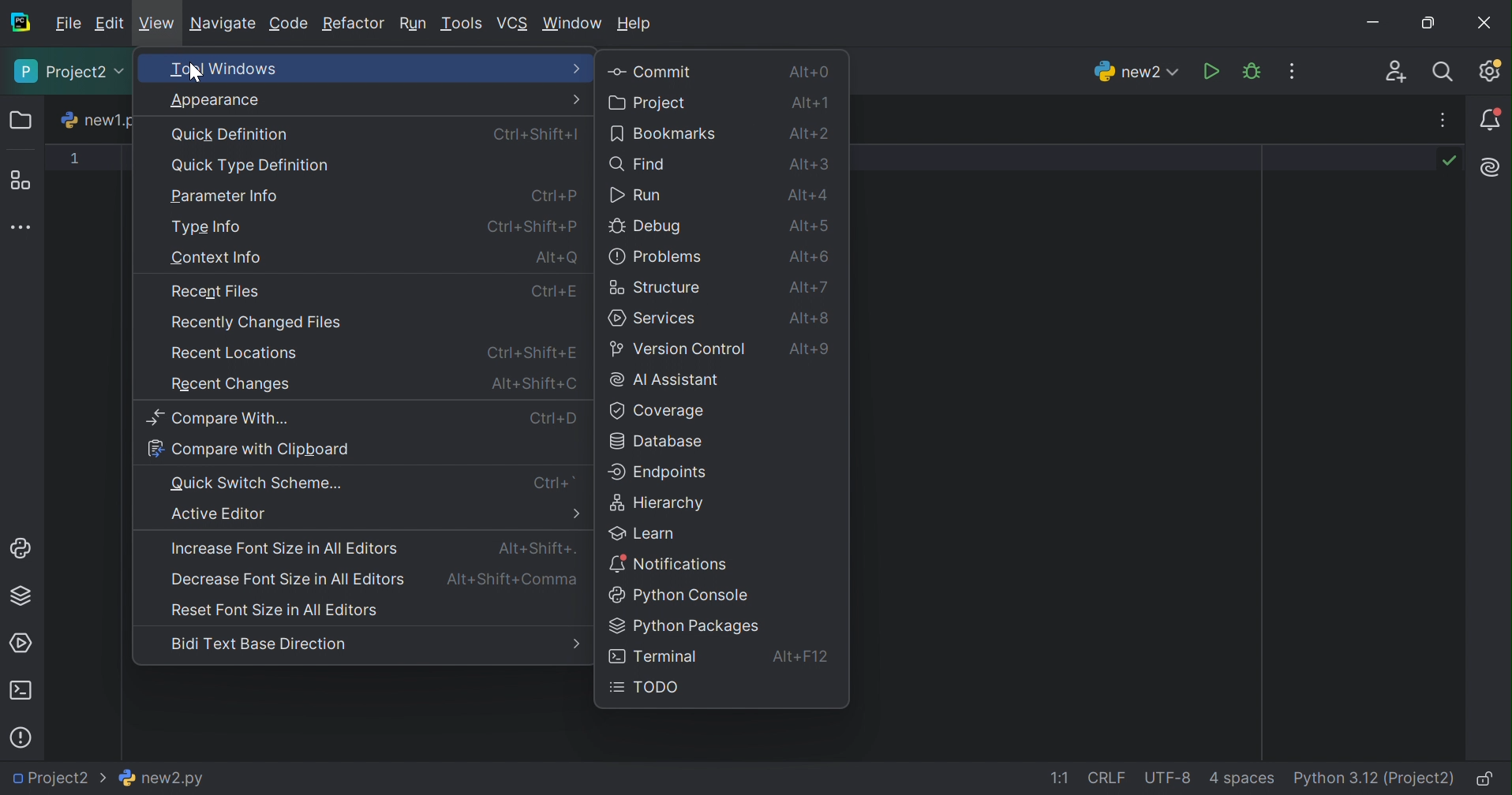 Image resolution: width=1512 pixels, height=795 pixels. I want to click on Compare with clipboard, so click(250, 450).